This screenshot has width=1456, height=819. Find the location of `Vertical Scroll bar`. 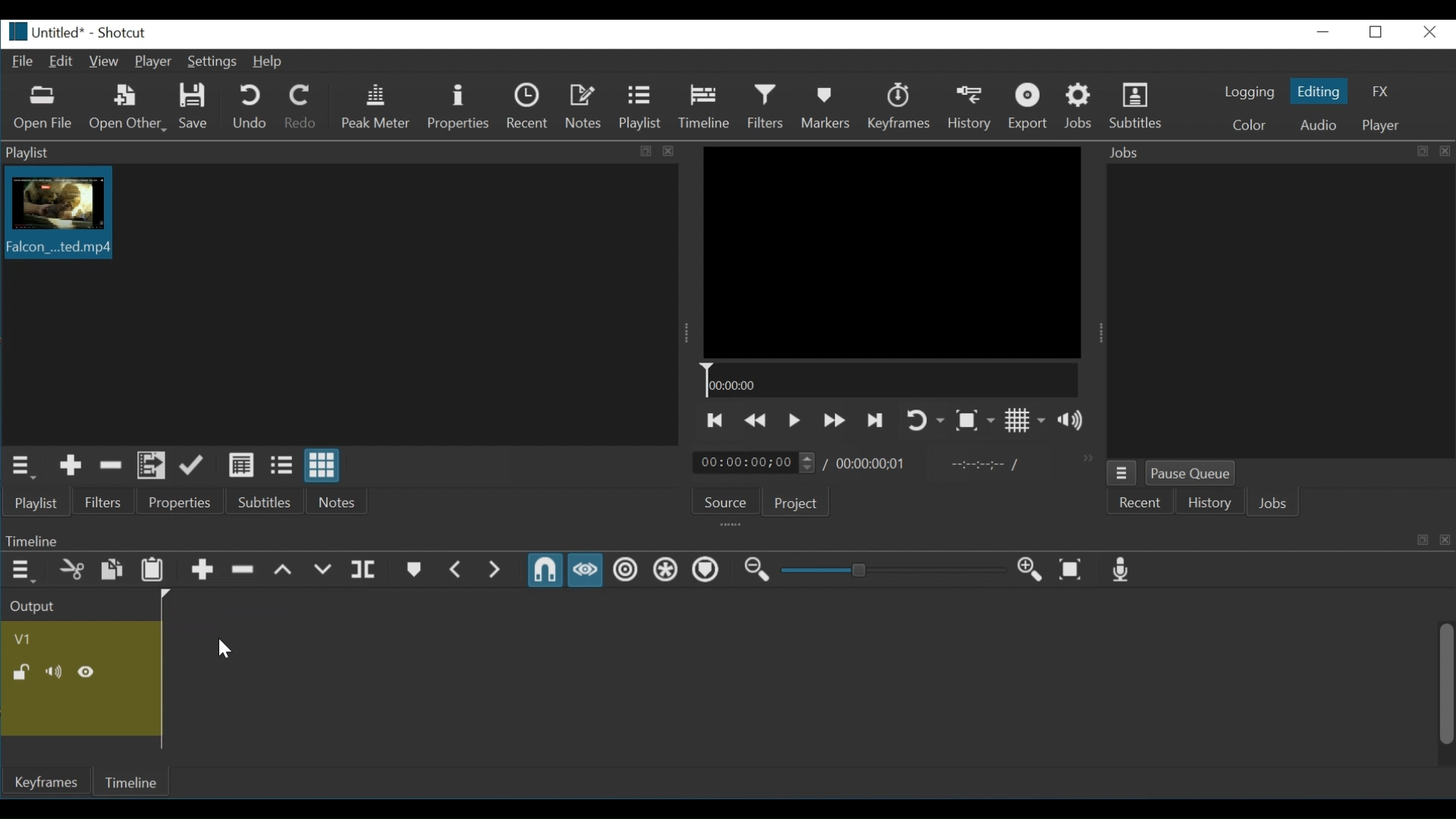

Vertical Scroll bar is located at coordinates (1447, 686).